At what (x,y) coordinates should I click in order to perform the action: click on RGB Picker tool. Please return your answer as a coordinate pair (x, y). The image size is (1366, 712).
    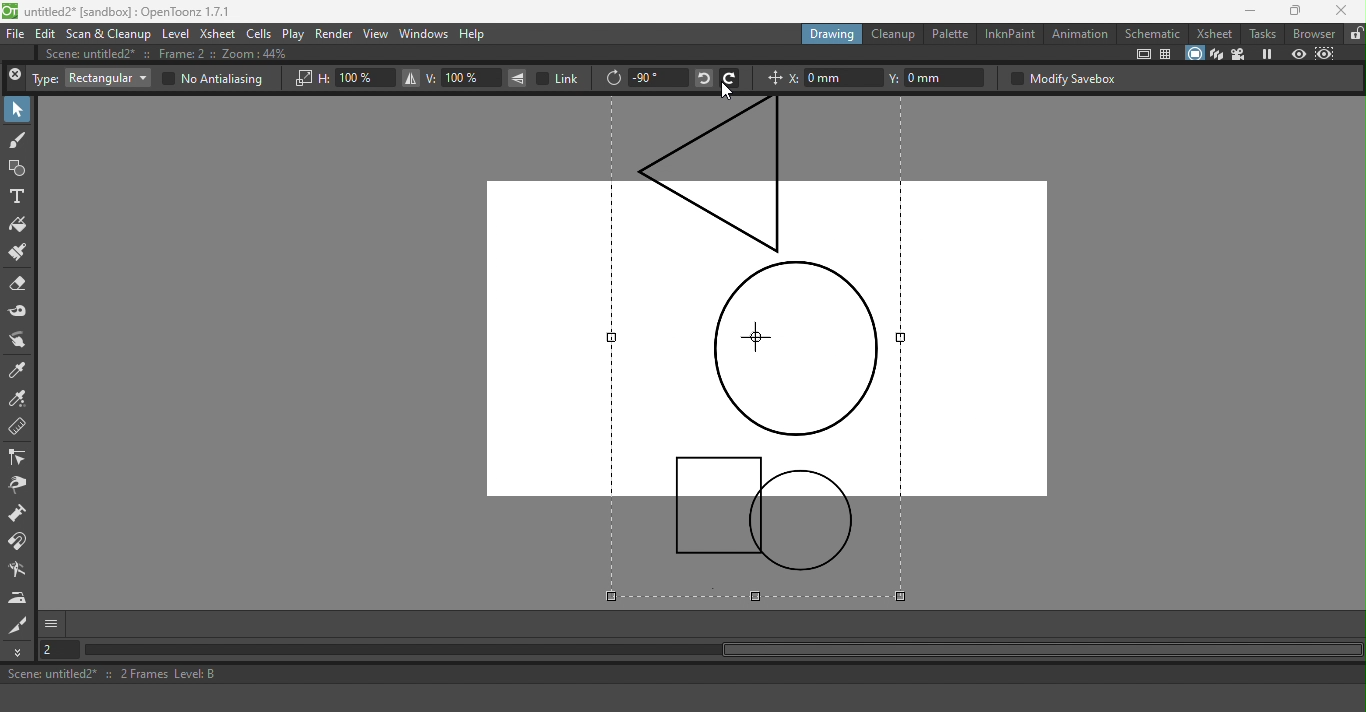
    Looking at the image, I should click on (19, 400).